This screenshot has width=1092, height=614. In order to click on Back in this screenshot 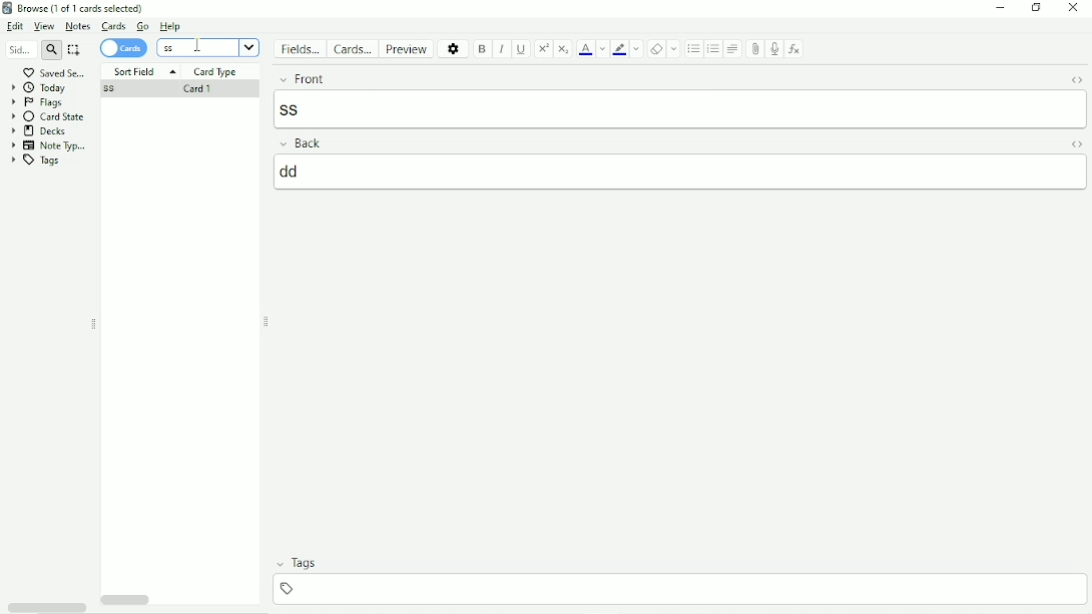, I will do `click(658, 143)`.